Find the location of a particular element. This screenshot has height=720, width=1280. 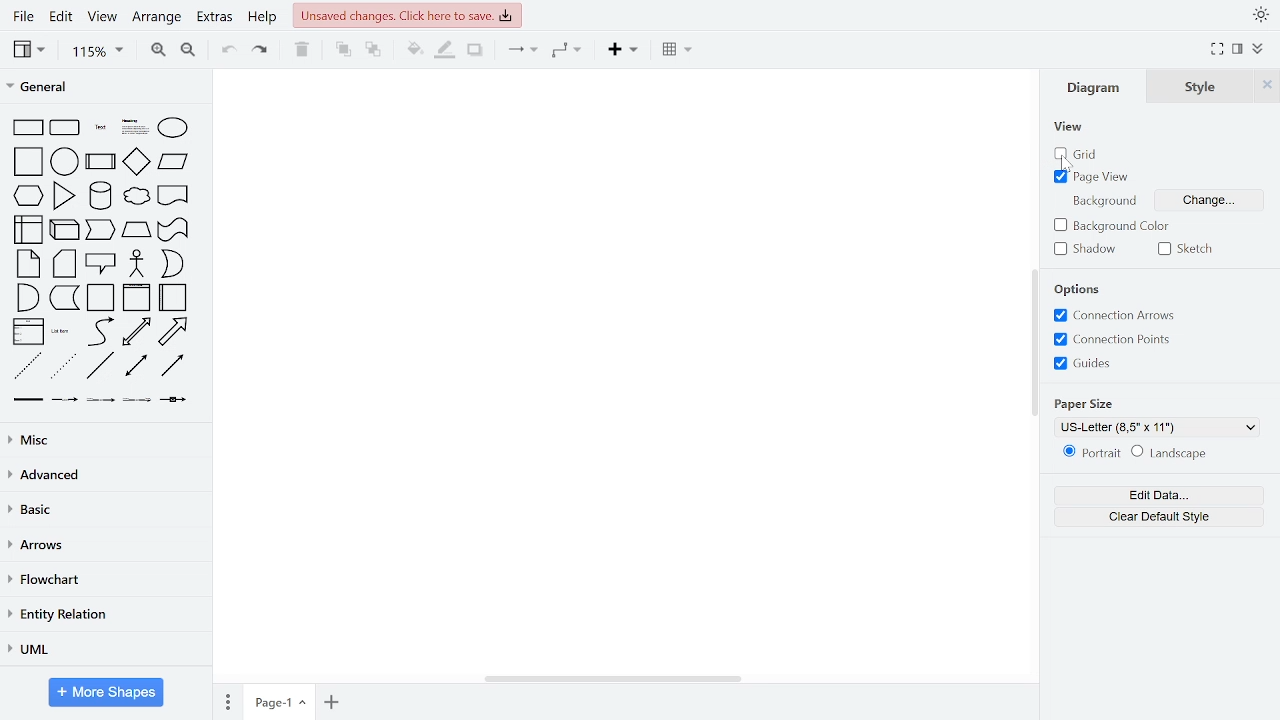

link is located at coordinates (28, 401).